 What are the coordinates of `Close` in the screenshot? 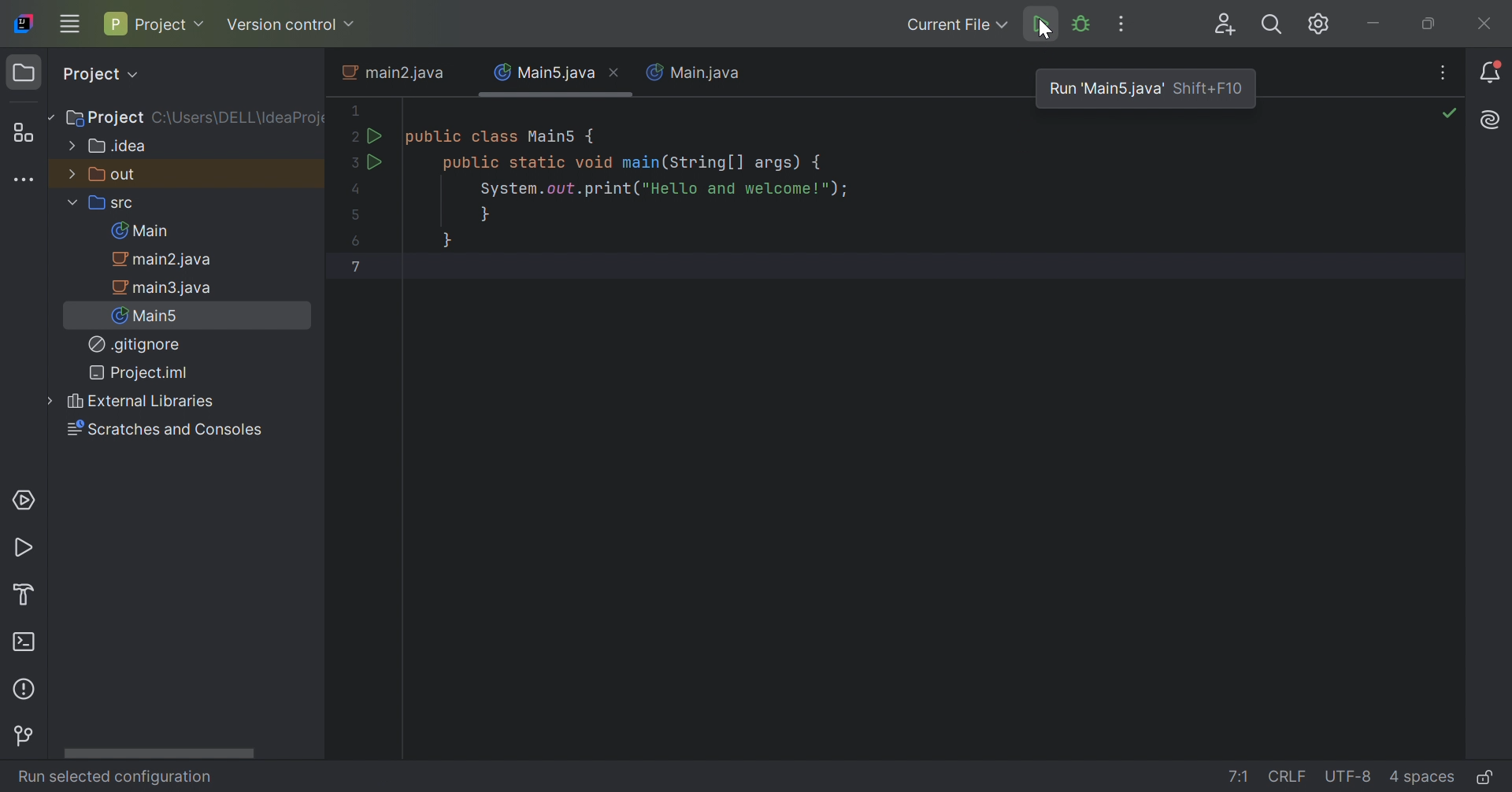 It's located at (620, 74).